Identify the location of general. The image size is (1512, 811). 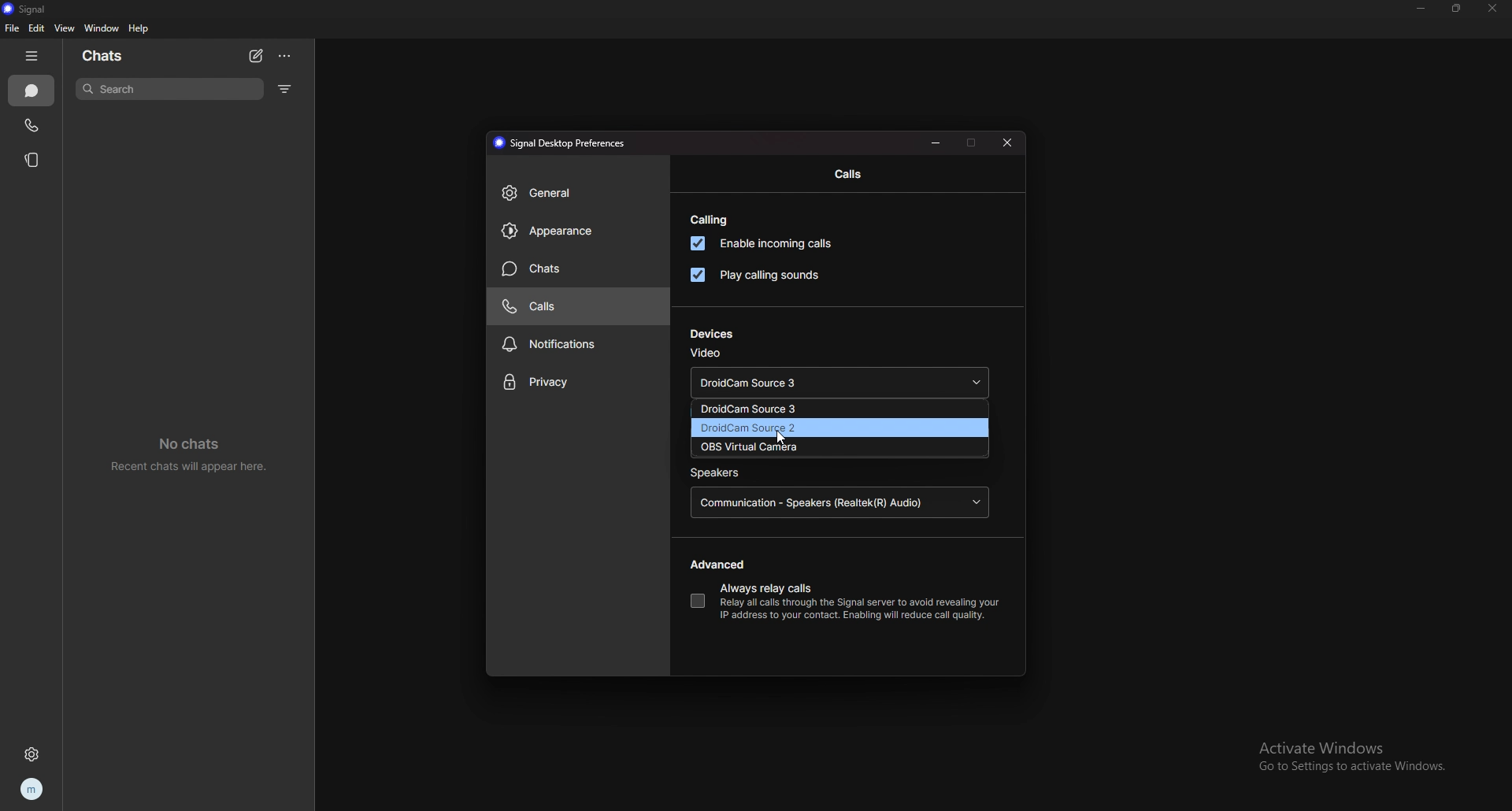
(579, 194).